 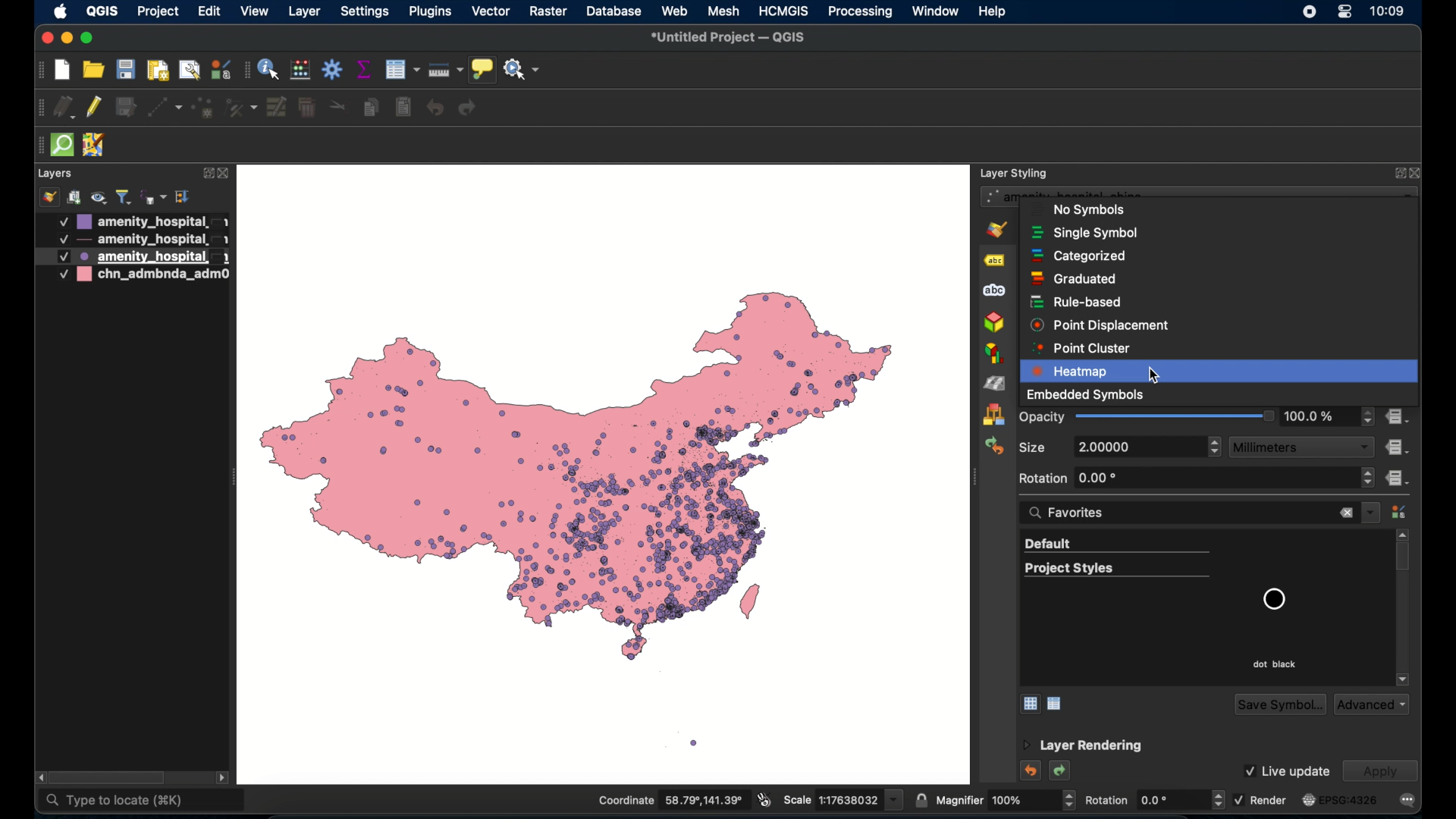 What do you see at coordinates (1197, 479) in the screenshot?
I see `rotation stepper buttons` at bounding box center [1197, 479].